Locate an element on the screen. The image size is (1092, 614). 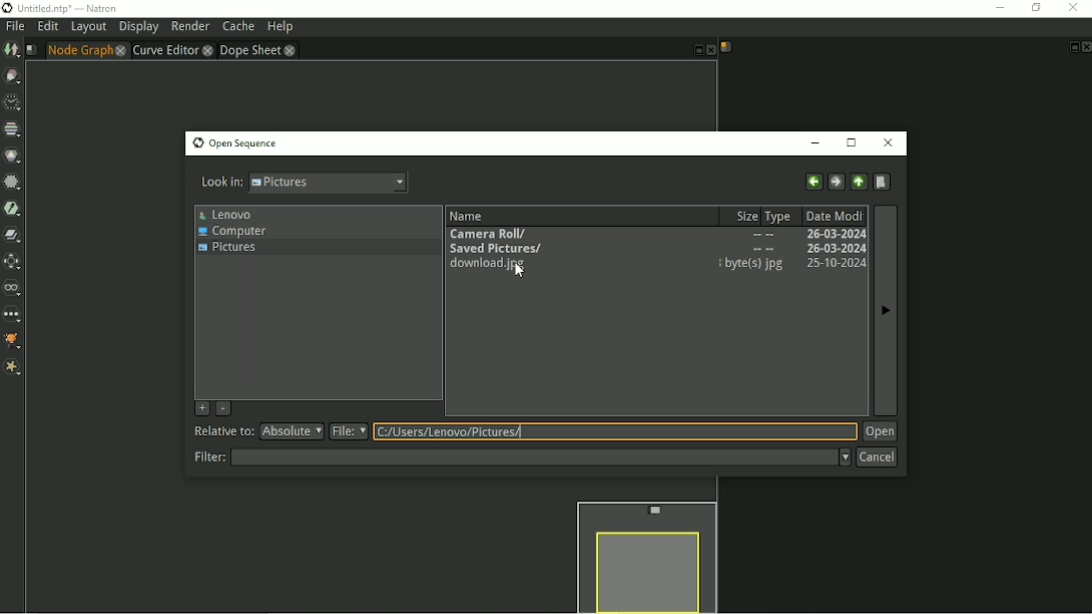
Other is located at coordinates (13, 315).